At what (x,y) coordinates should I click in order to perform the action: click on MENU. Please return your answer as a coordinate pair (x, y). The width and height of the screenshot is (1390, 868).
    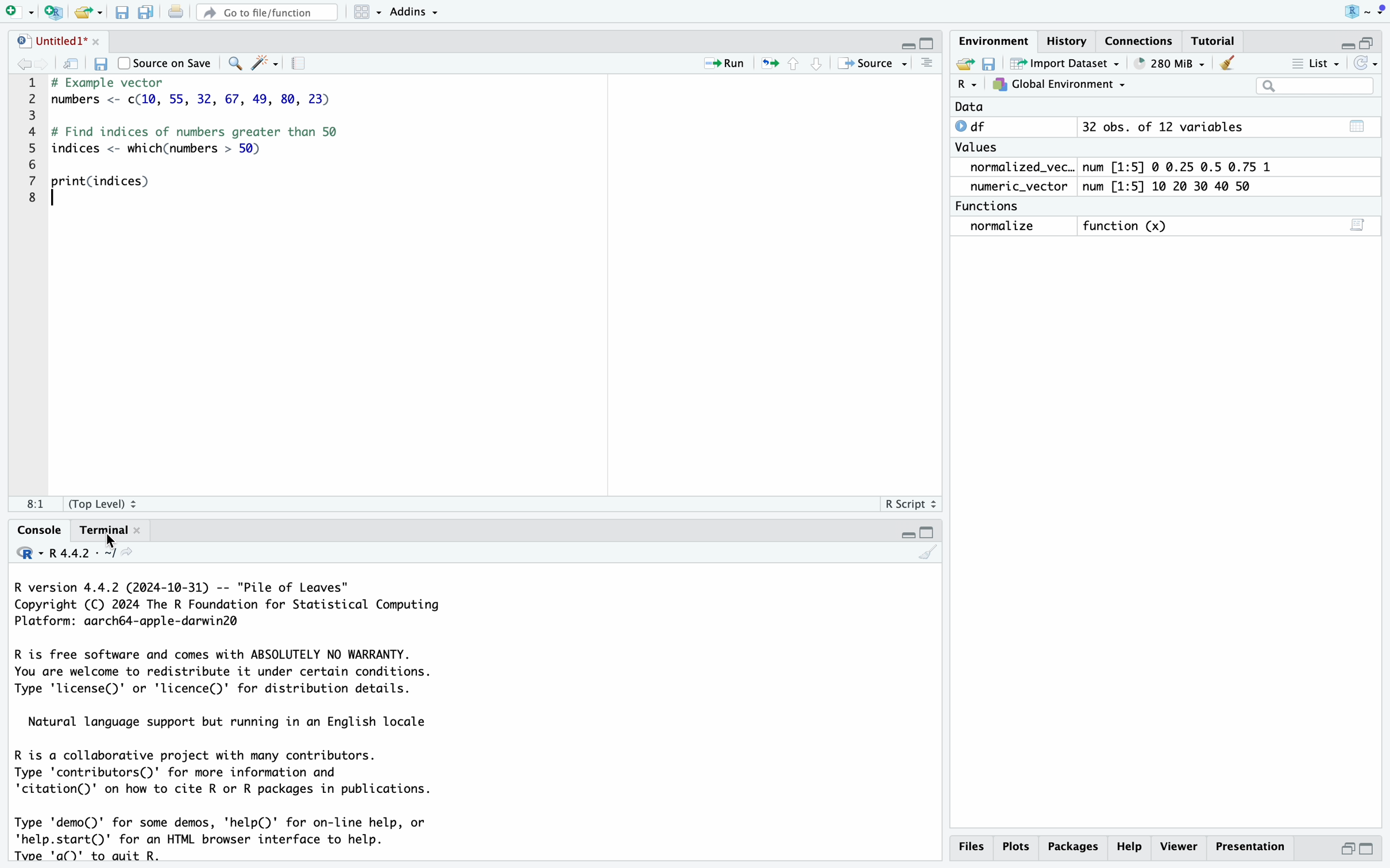
    Looking at the image, I should click on (1381, 12).